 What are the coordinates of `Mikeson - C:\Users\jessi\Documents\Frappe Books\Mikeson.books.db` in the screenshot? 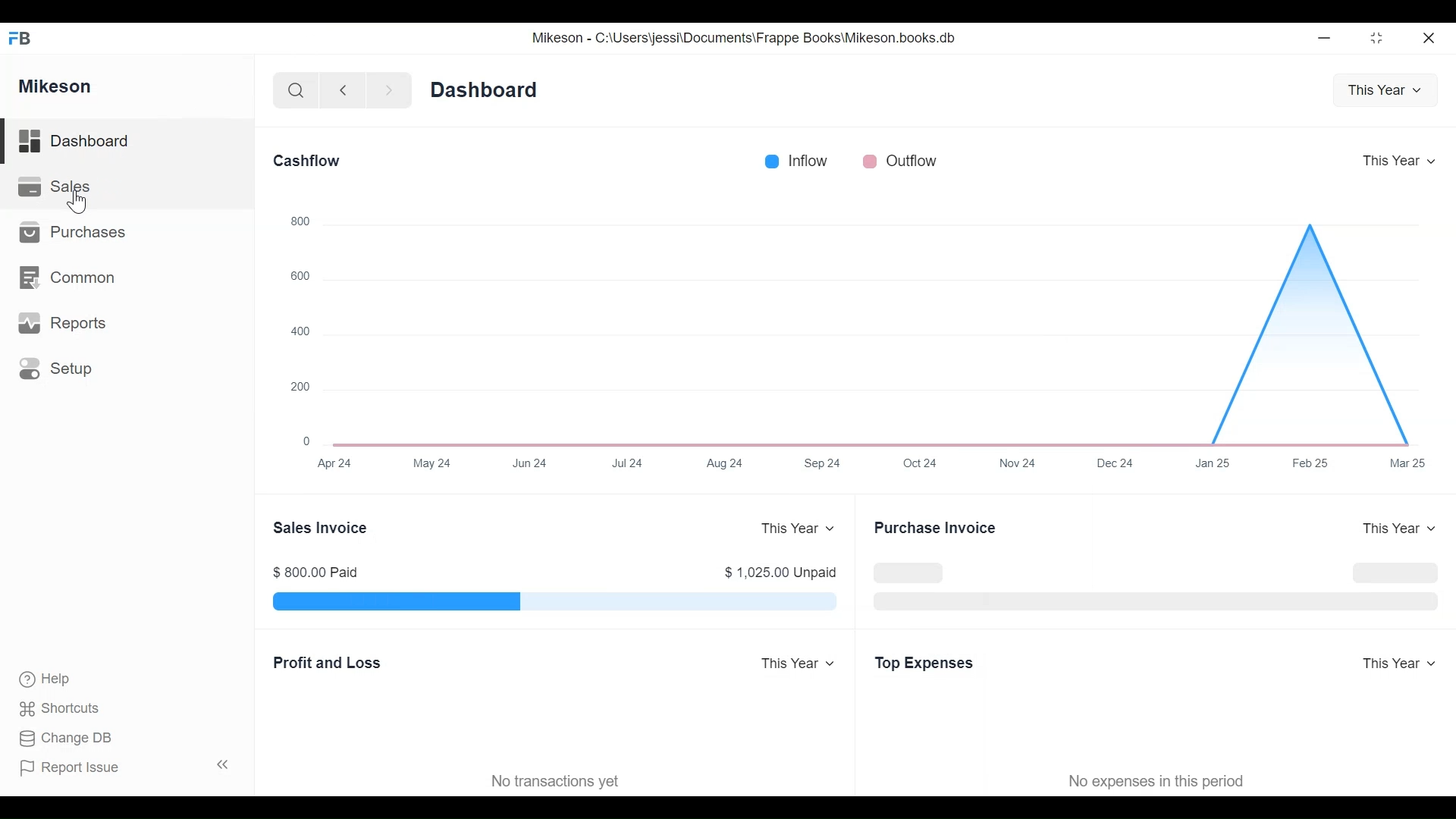 It's located at (745, 38).